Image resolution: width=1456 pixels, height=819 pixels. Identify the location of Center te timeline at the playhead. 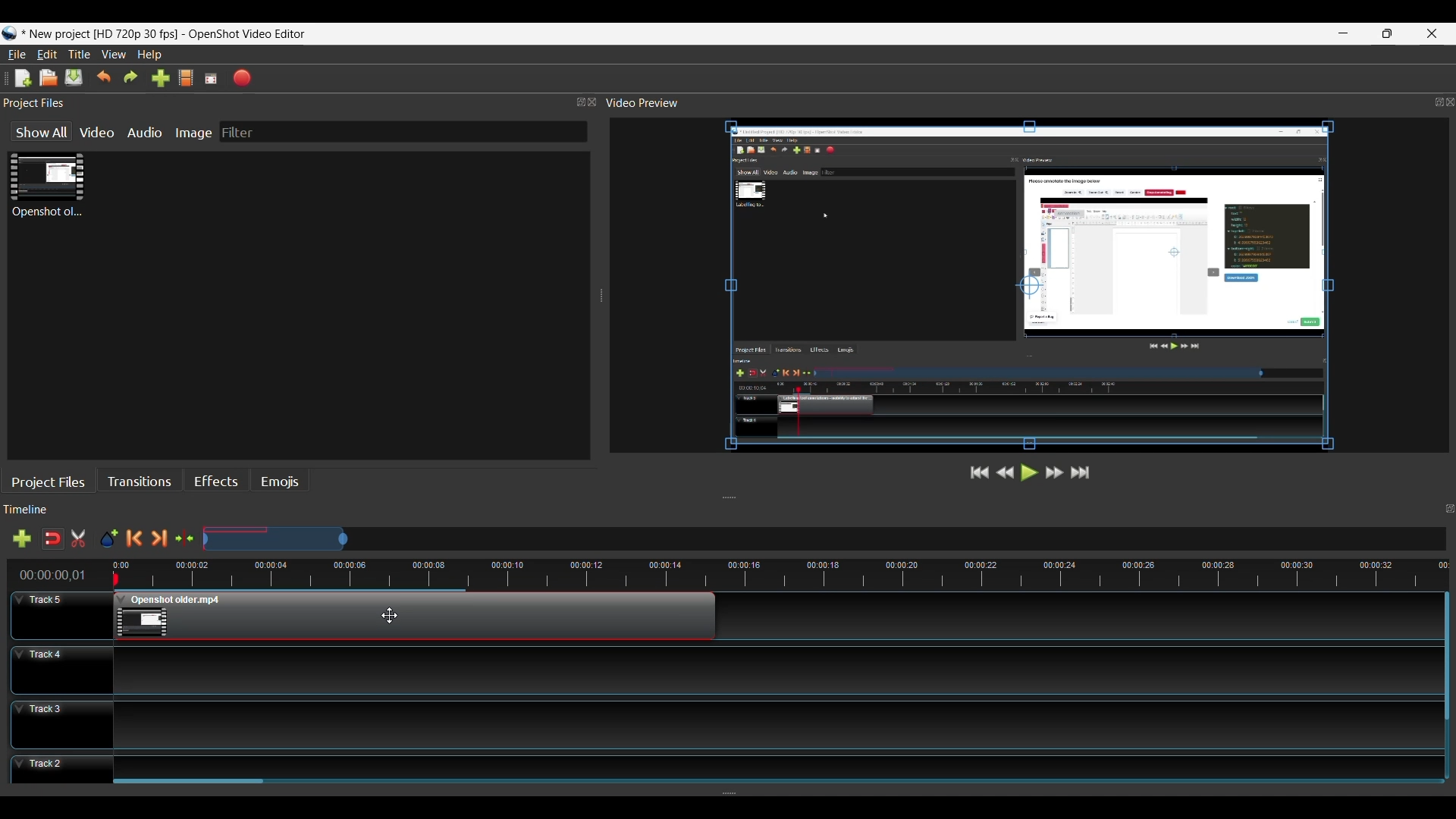
(185, 539).